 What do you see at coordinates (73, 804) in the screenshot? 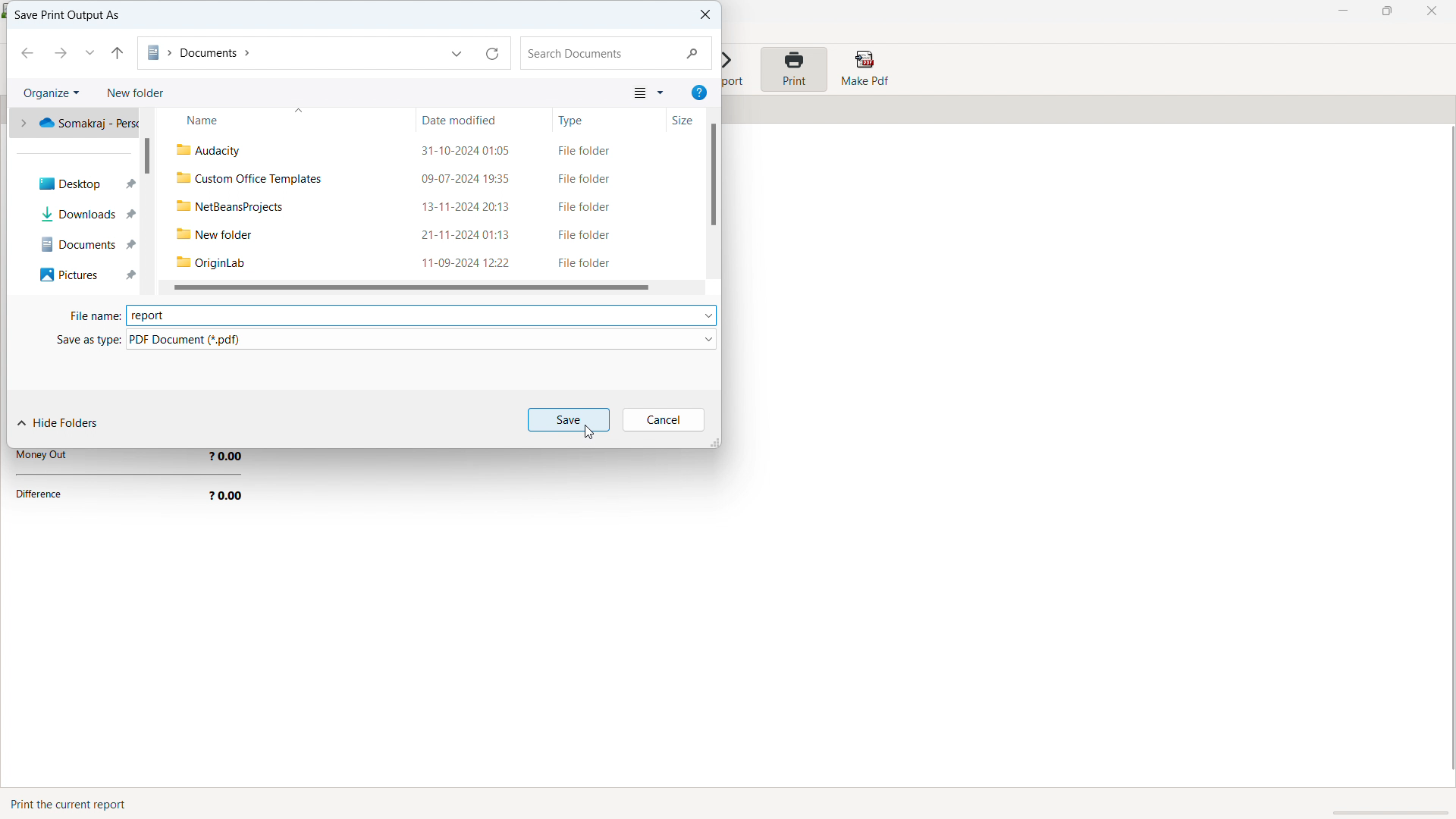
I see `Print the current report` at bounding box center [73, 804].